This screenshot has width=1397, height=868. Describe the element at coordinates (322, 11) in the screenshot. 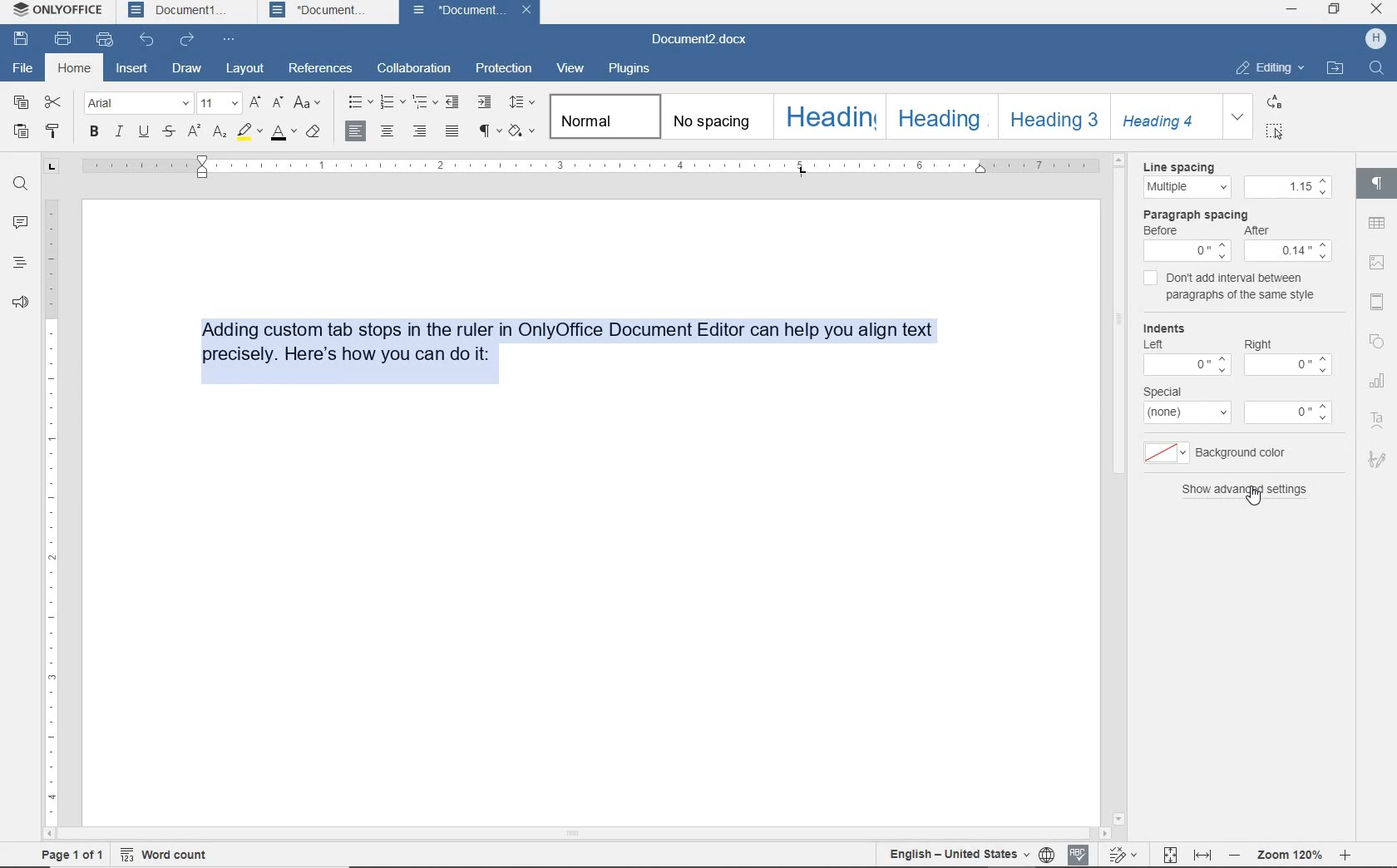

I see `Document tab` at that location.